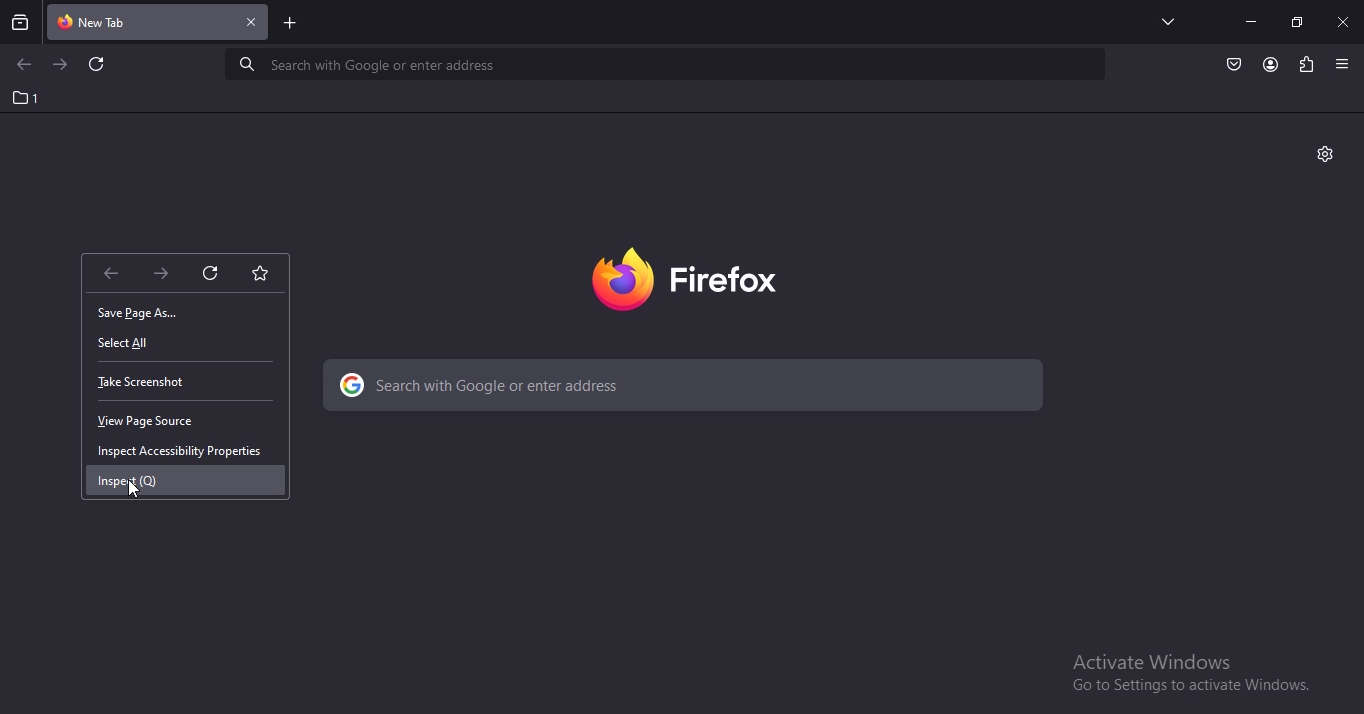 The height and width of the screenshot is (714, 1364). I want to click on image, so click(696, 280).